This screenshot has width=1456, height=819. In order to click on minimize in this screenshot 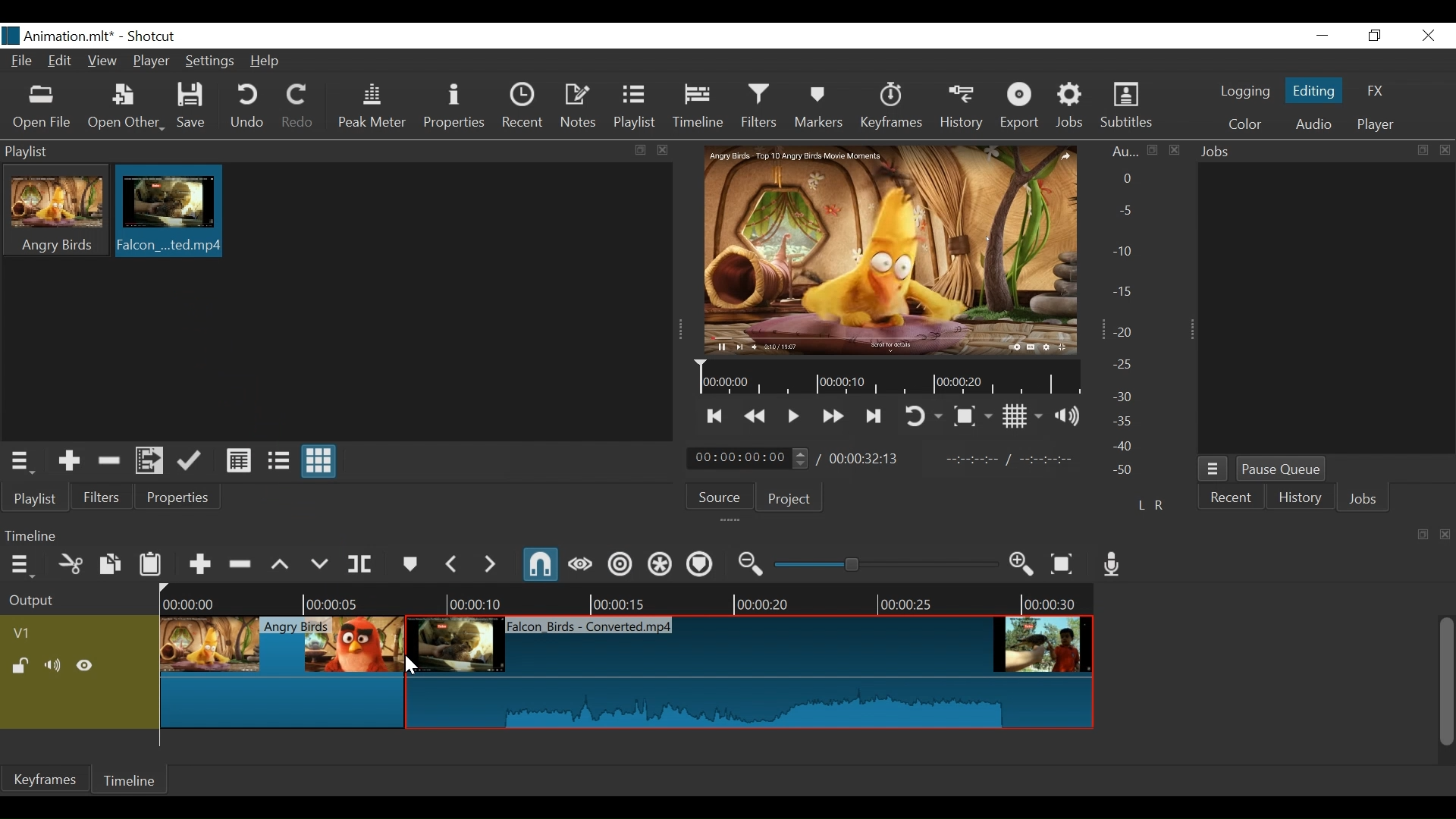, I will do `click(1325, 36)`.